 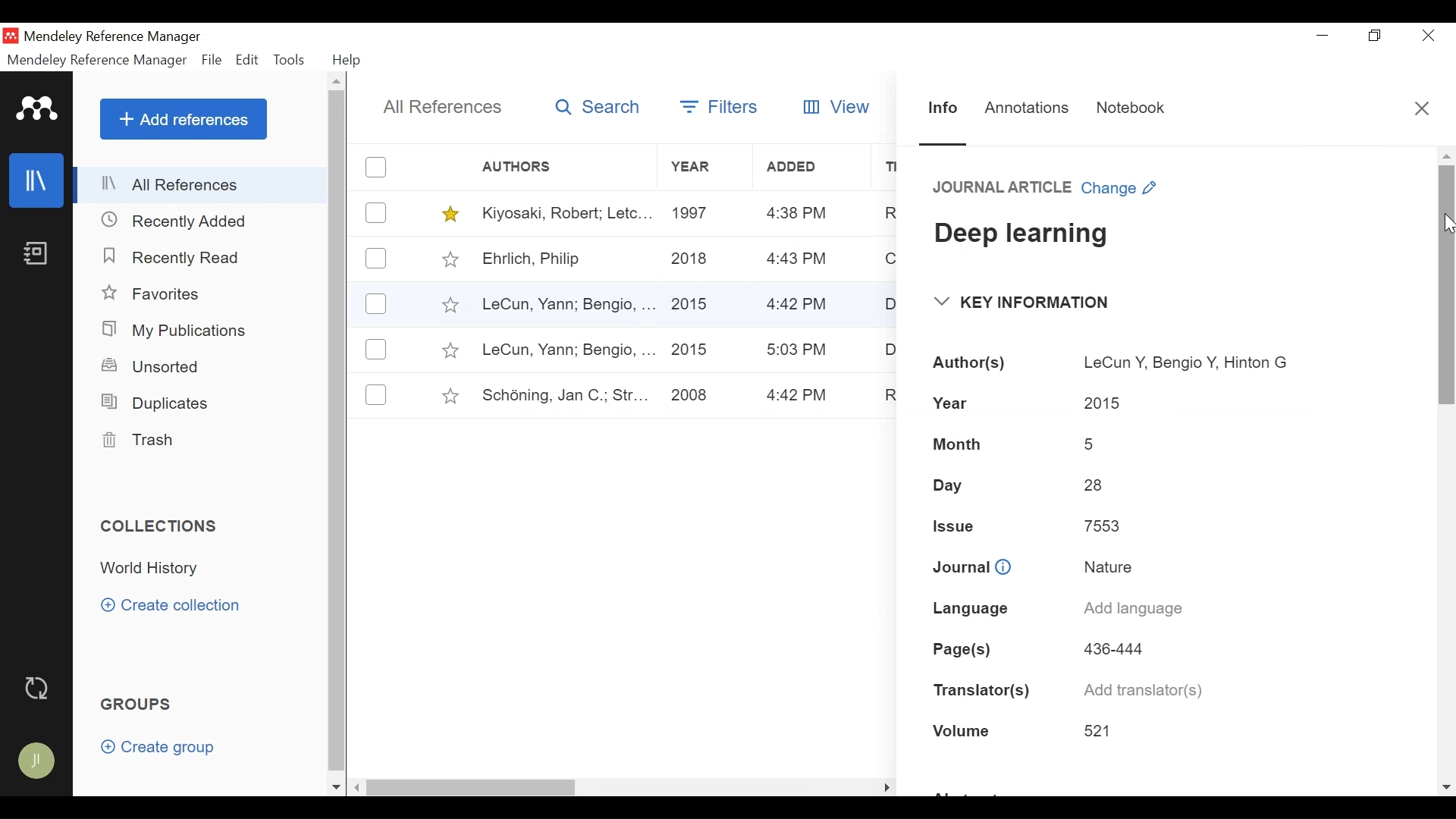 I want to click on File, so click(x=213, y=61).